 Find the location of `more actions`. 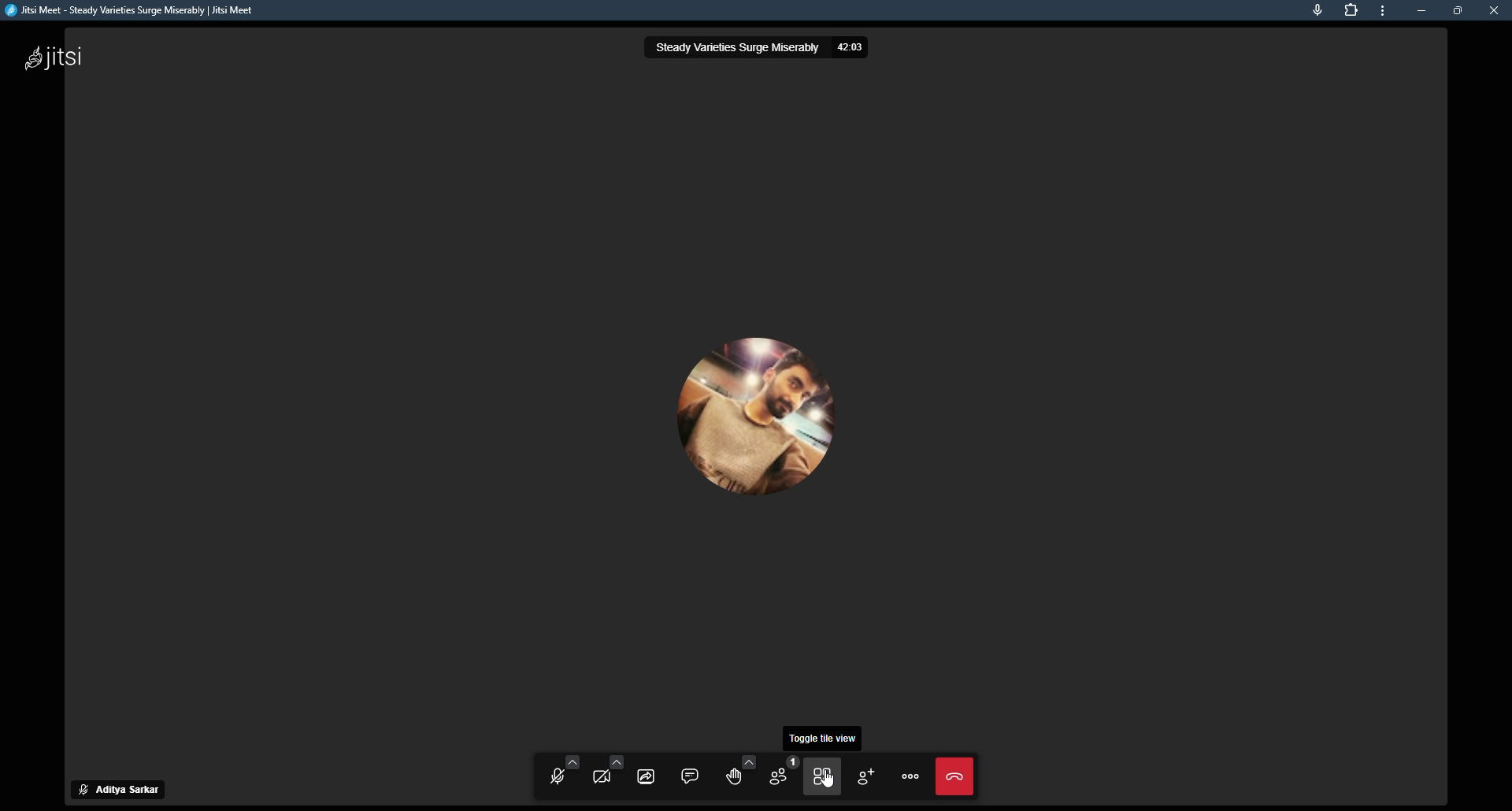

more actions is located at coordinates (910, 774).